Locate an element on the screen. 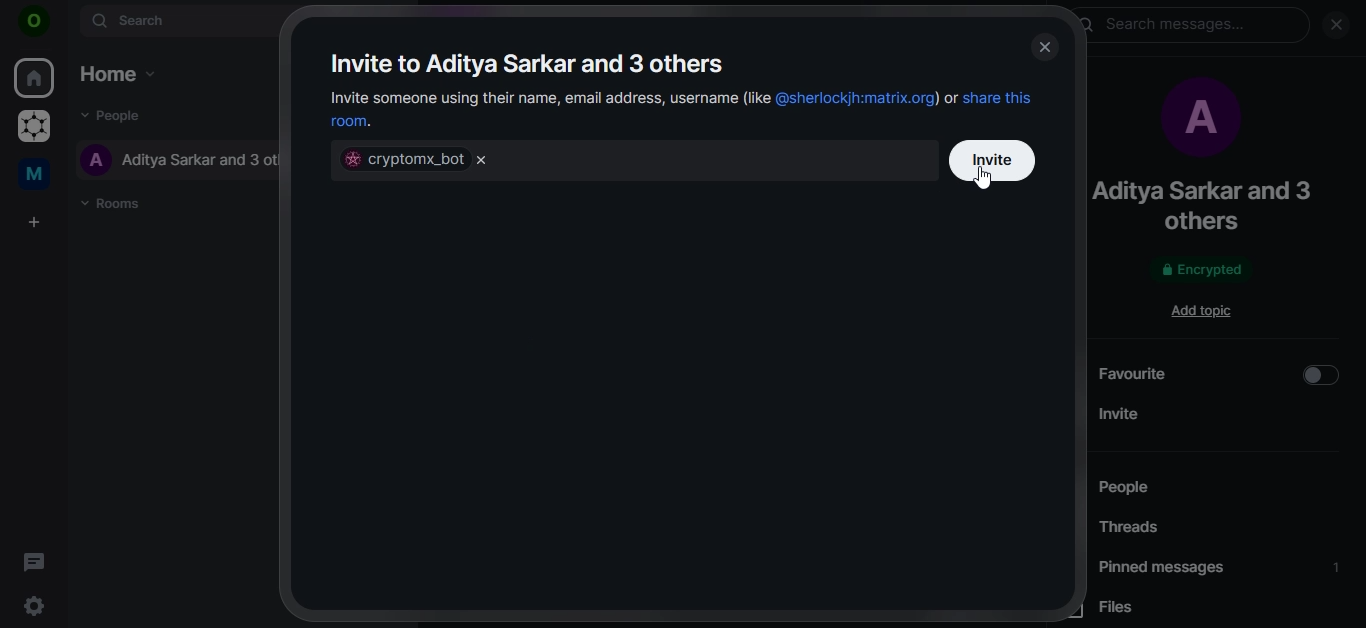  invite to aditya sarkar and 3 others is located at coordinates (530, 64).